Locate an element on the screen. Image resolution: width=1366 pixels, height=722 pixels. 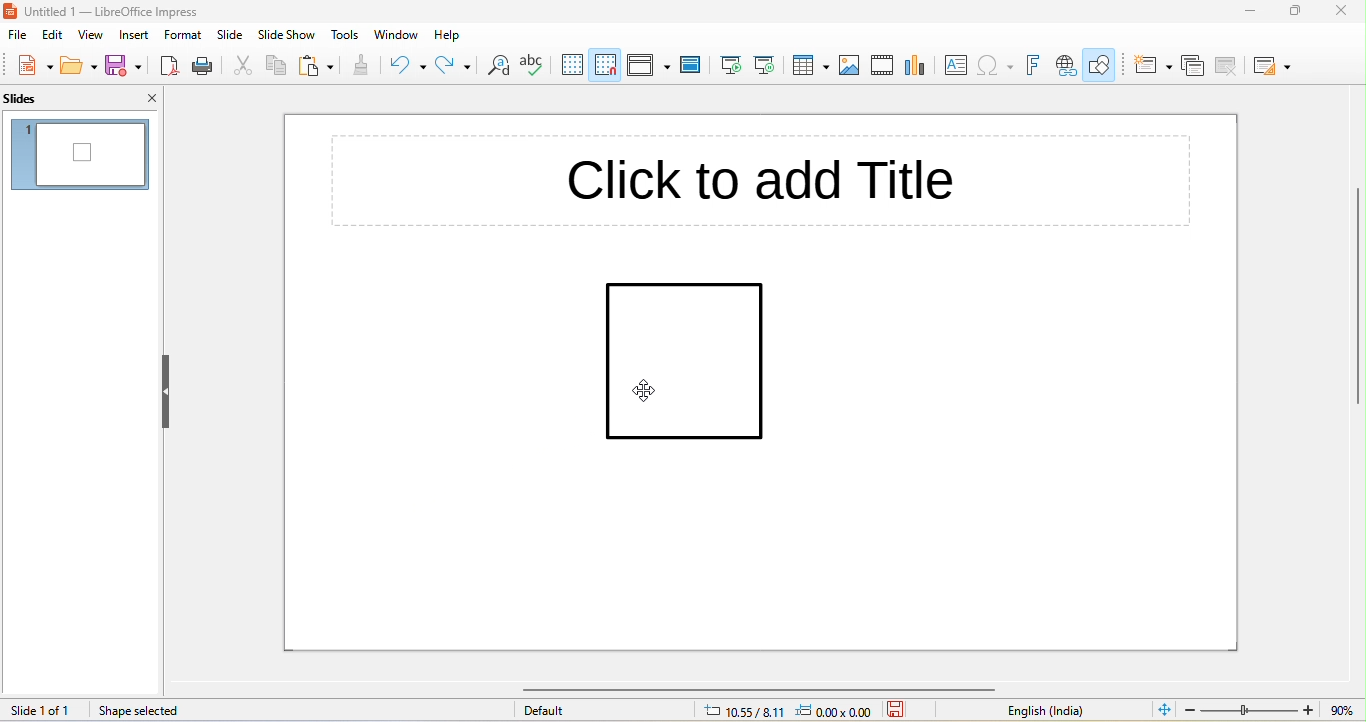
logo is located at coordinates (12, 12).